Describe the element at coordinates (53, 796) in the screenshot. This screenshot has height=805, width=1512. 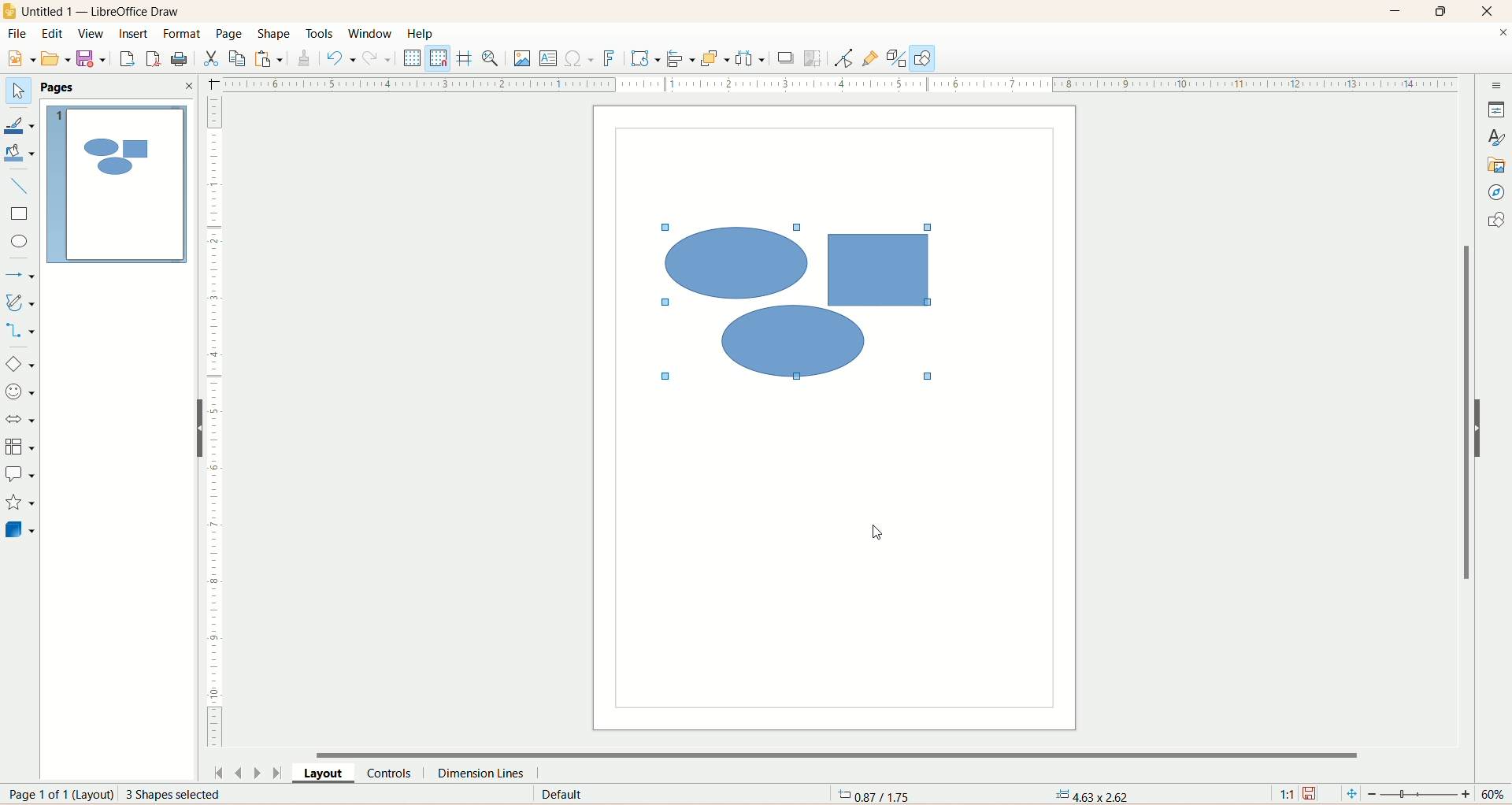
I see `page` at that location.